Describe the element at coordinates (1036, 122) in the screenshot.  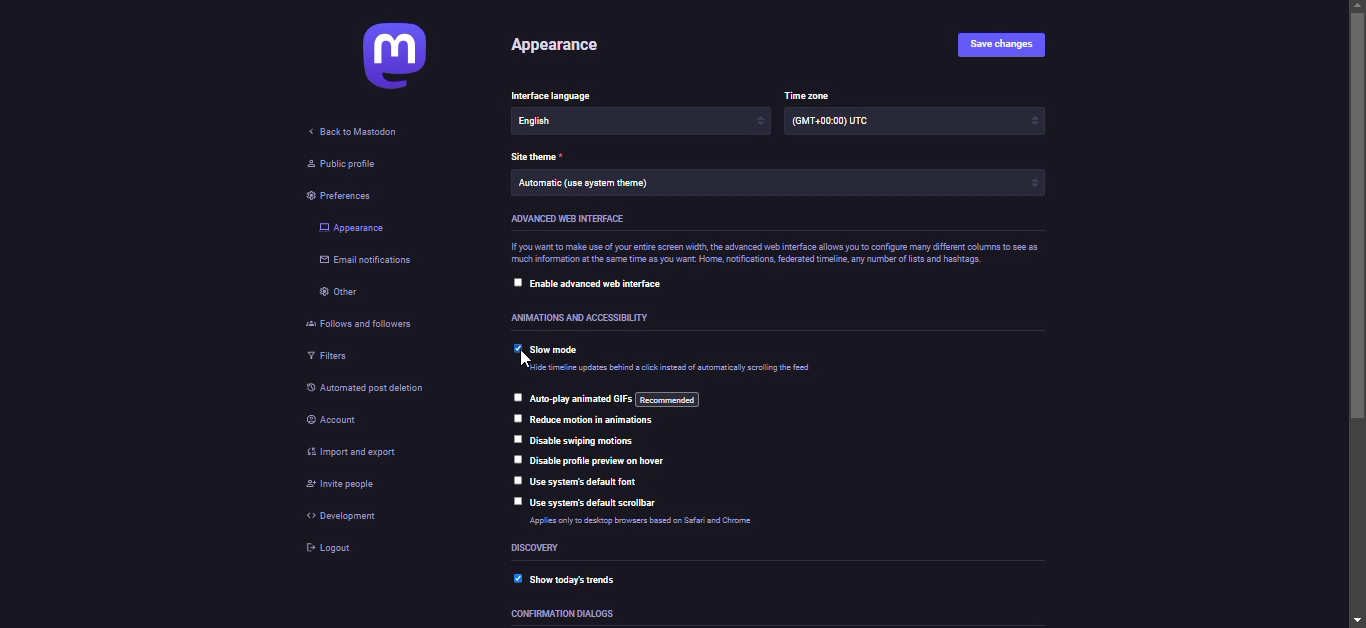
I see `increase/decrease arrows` at that location.